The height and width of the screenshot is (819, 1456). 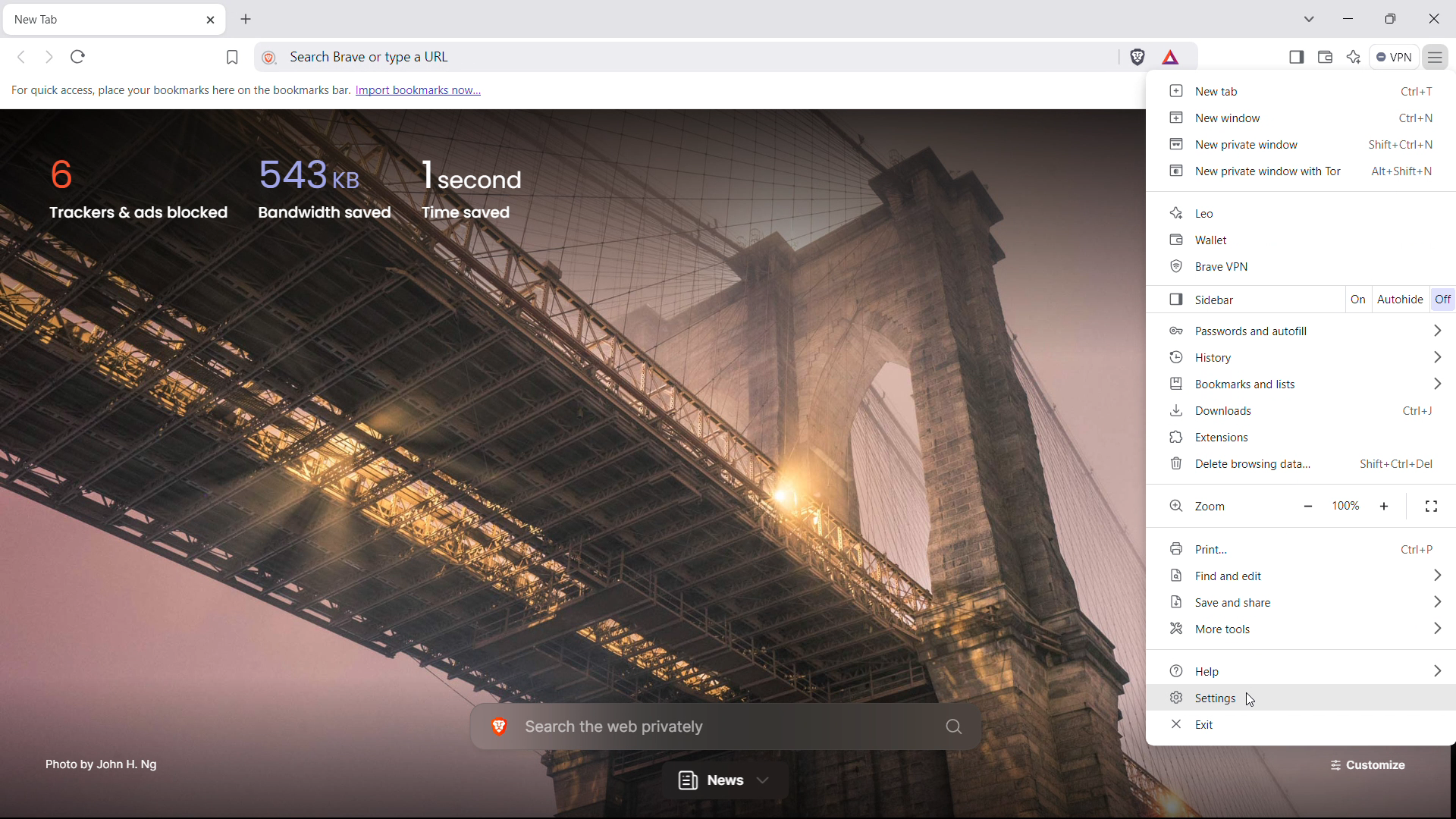 I want to click on zoom in, so click(x=1385, y=508).